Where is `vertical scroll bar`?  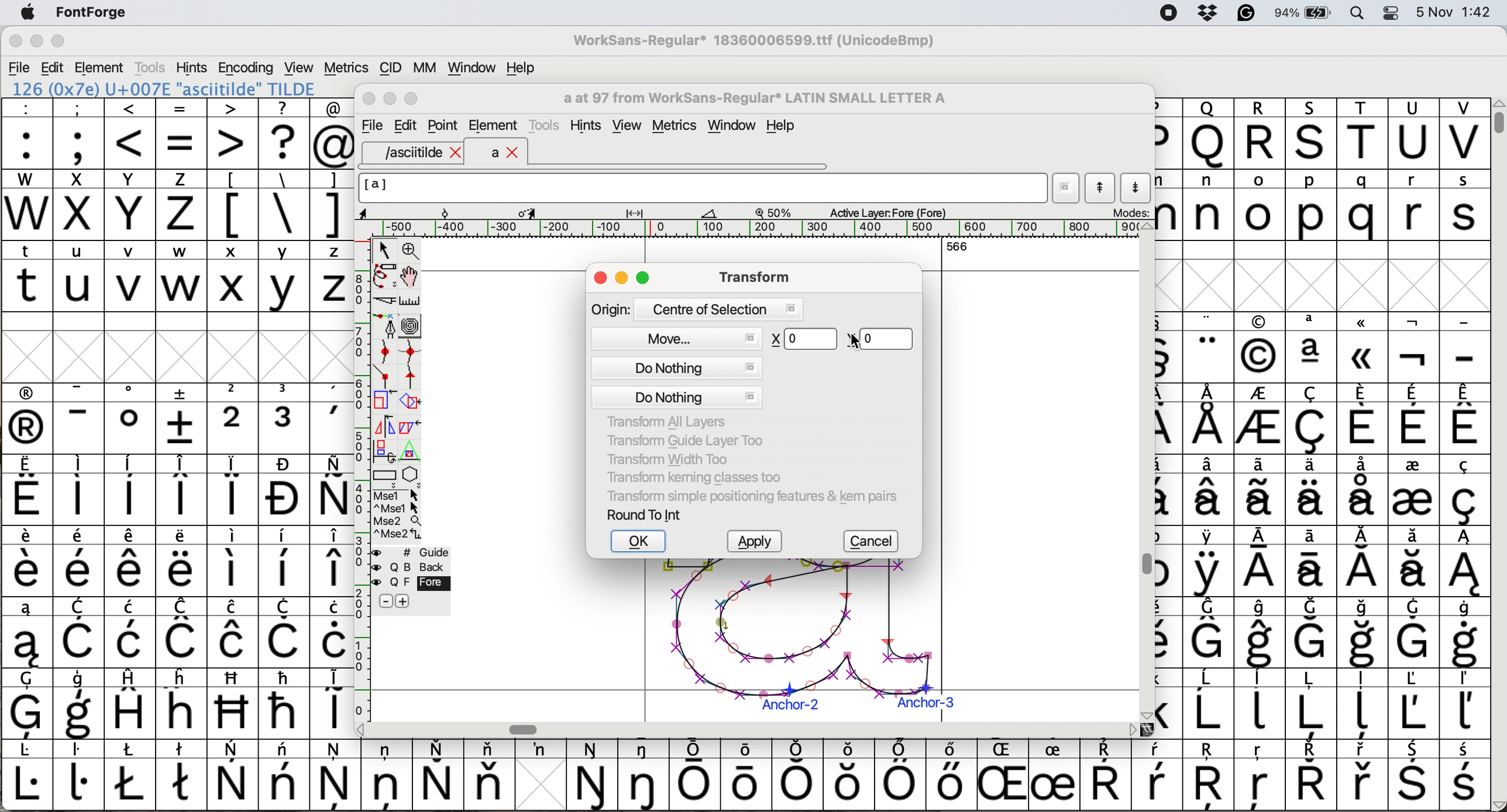
vertical scroll bar is located at coordinates (1496, 117).